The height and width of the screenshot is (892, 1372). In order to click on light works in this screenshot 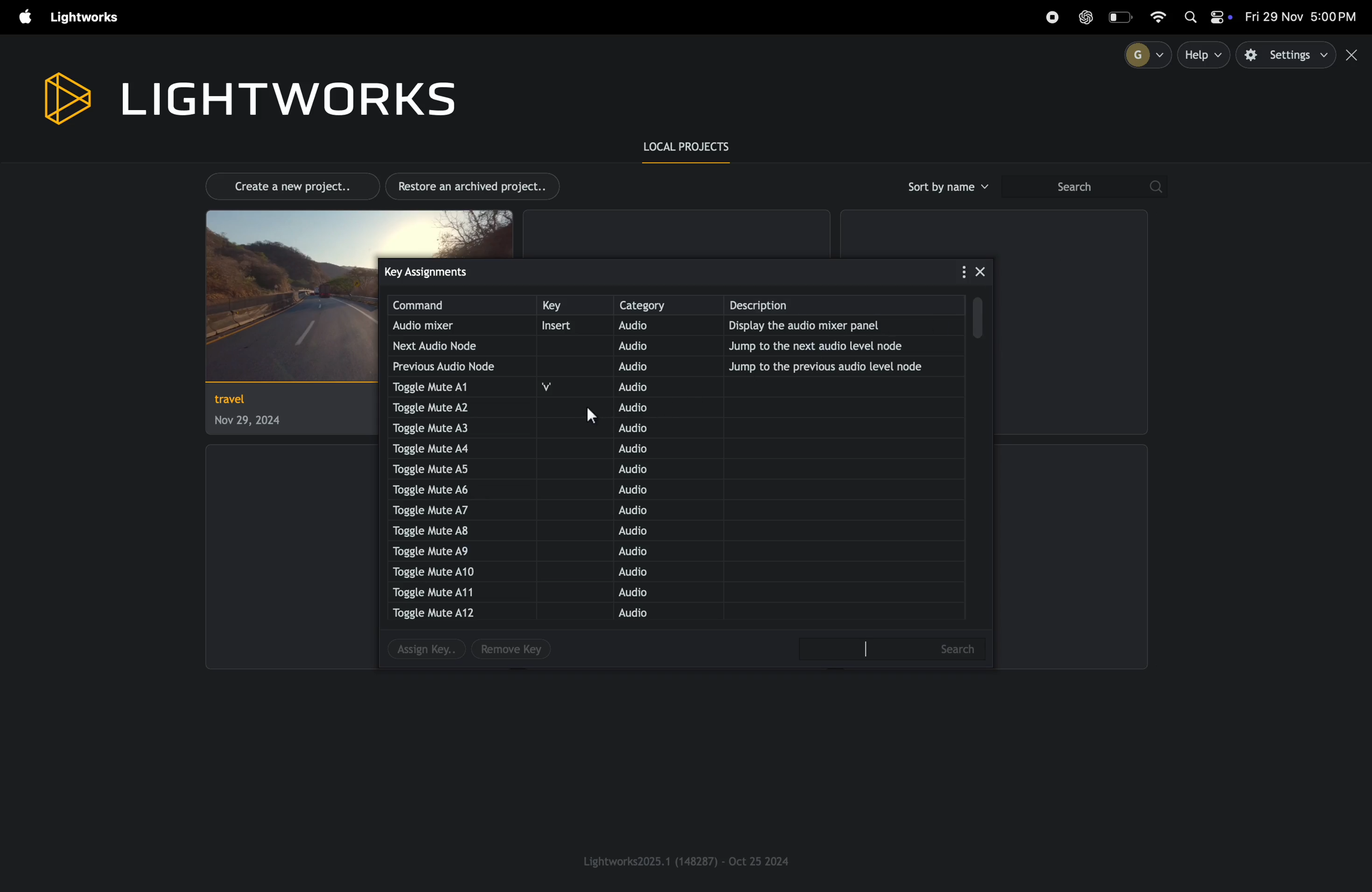, I will do `click(247, 96)`.